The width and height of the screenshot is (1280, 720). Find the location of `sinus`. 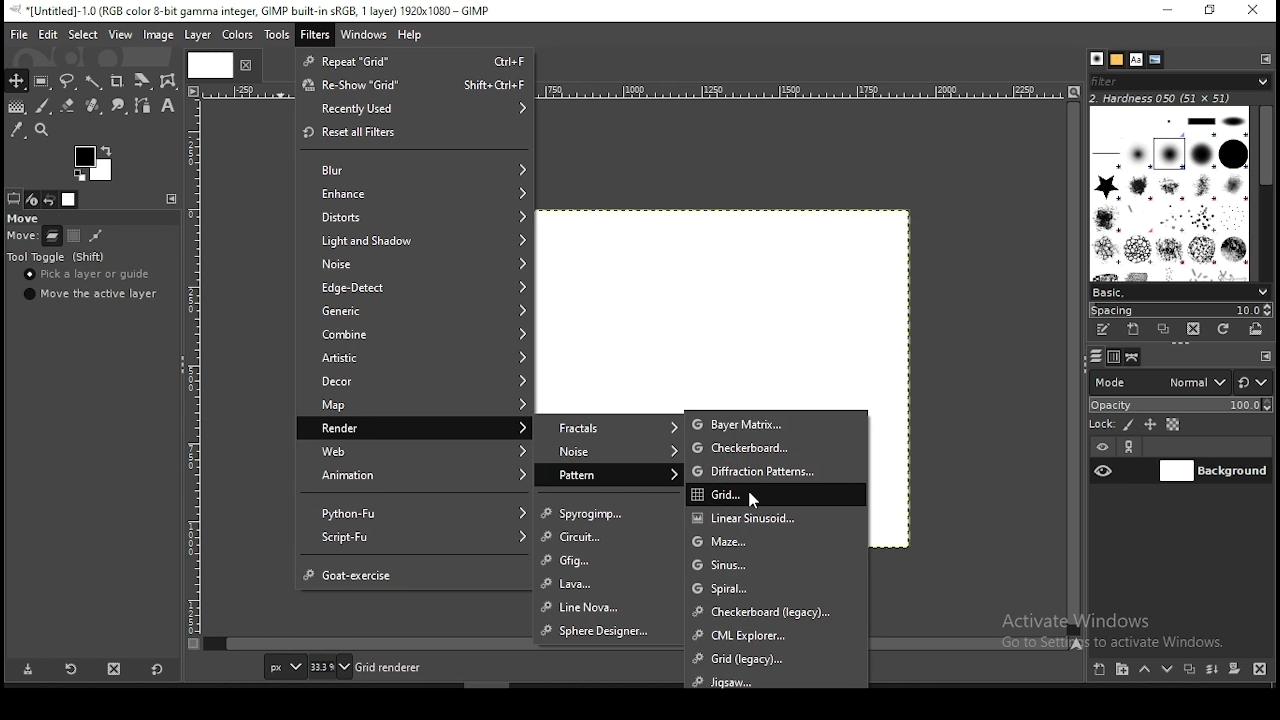

sinus is located at coordinates (777, 565).